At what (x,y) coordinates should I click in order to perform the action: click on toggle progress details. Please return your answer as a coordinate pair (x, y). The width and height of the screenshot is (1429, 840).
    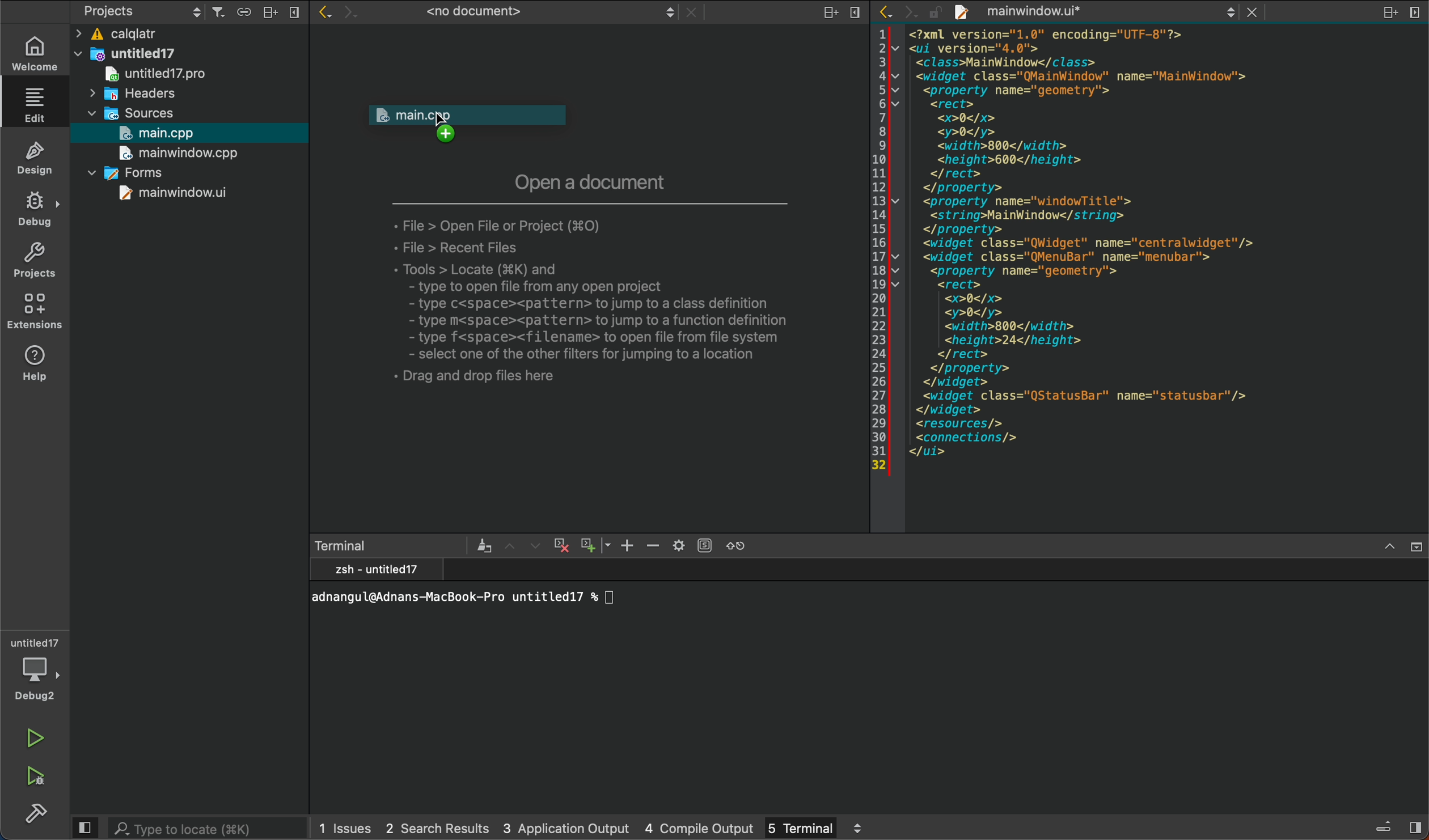
    Looking at the image, I should click on (1384, 828).